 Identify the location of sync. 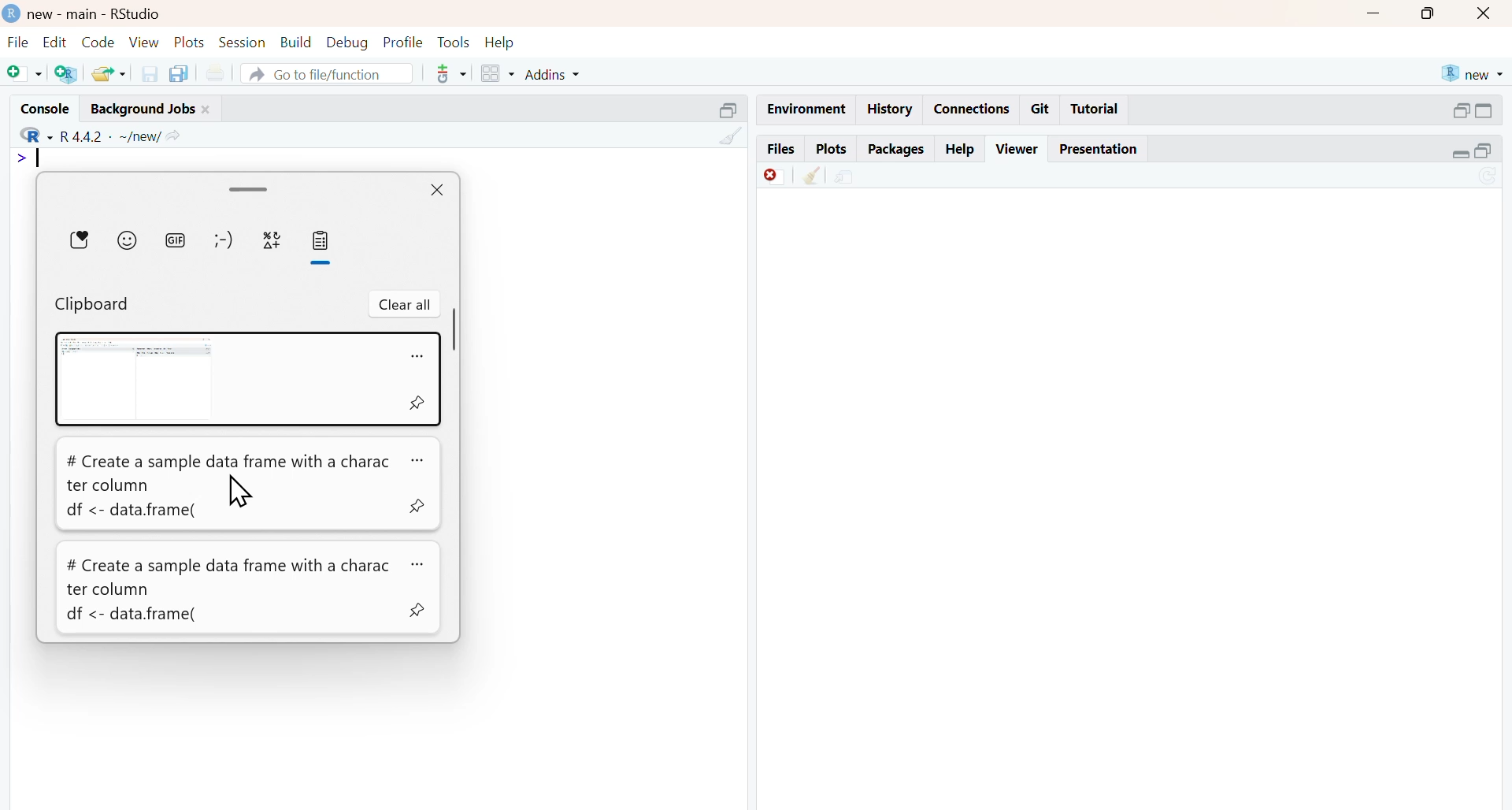
(1490, 177).